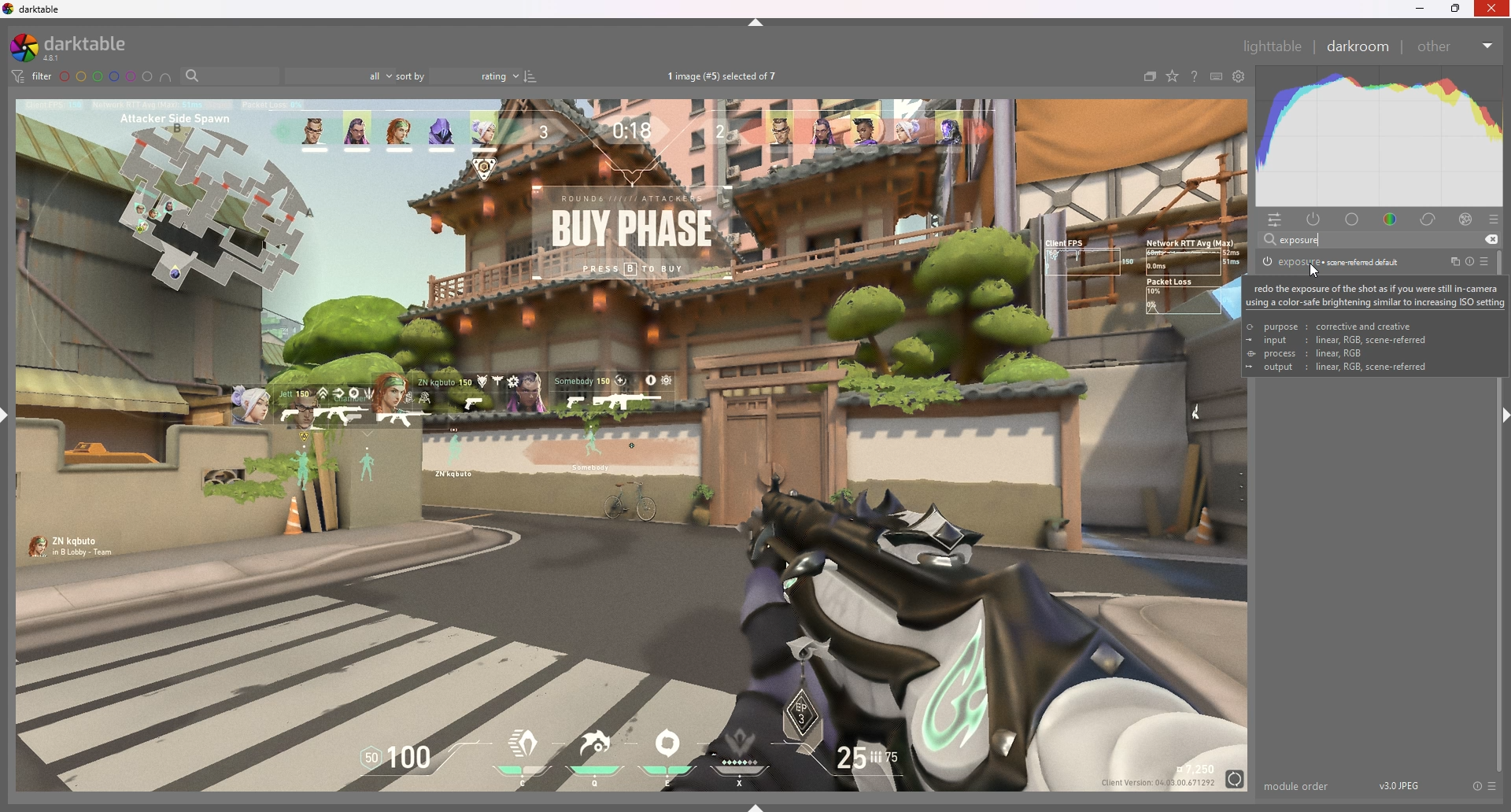 The image size is (1511, 812). I want to click on heat graph, so click(1378, 137).